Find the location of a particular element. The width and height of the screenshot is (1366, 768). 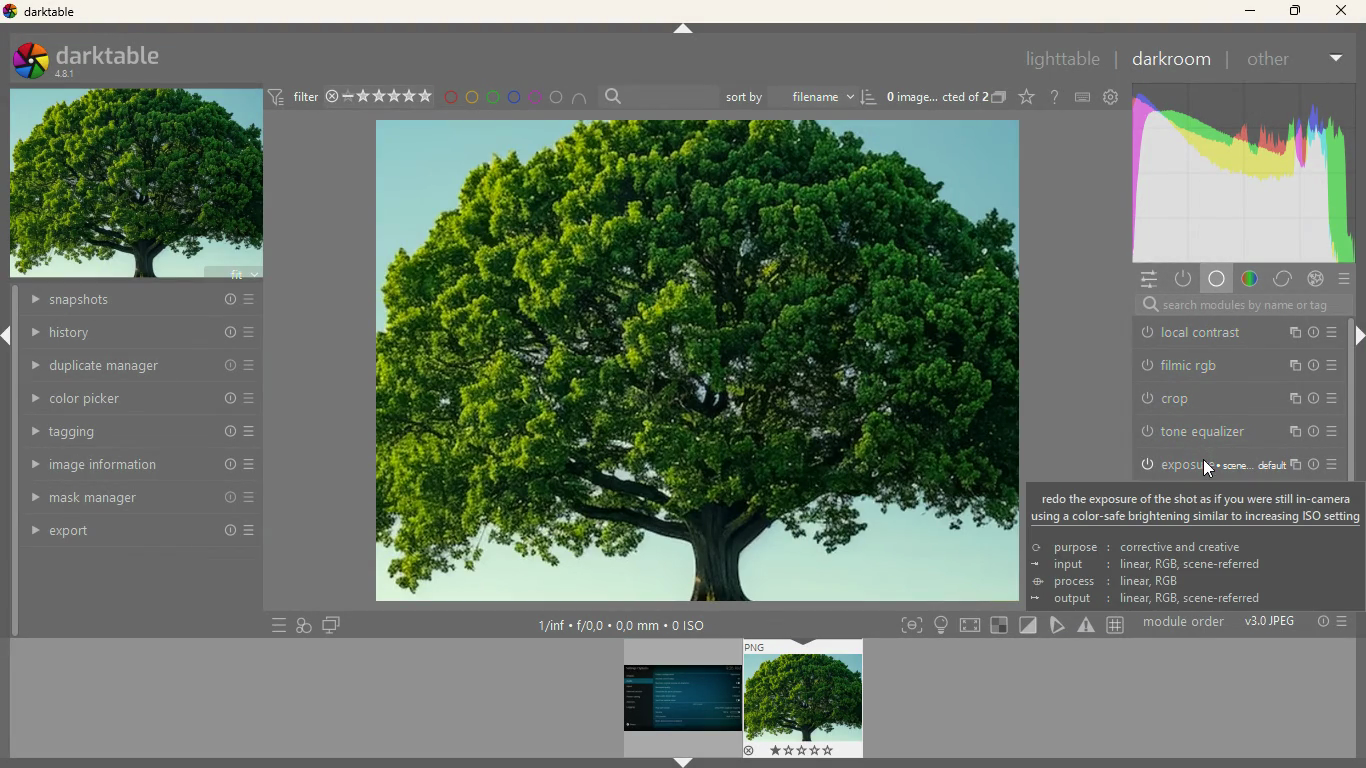

more is located at coordinates (273, 624).